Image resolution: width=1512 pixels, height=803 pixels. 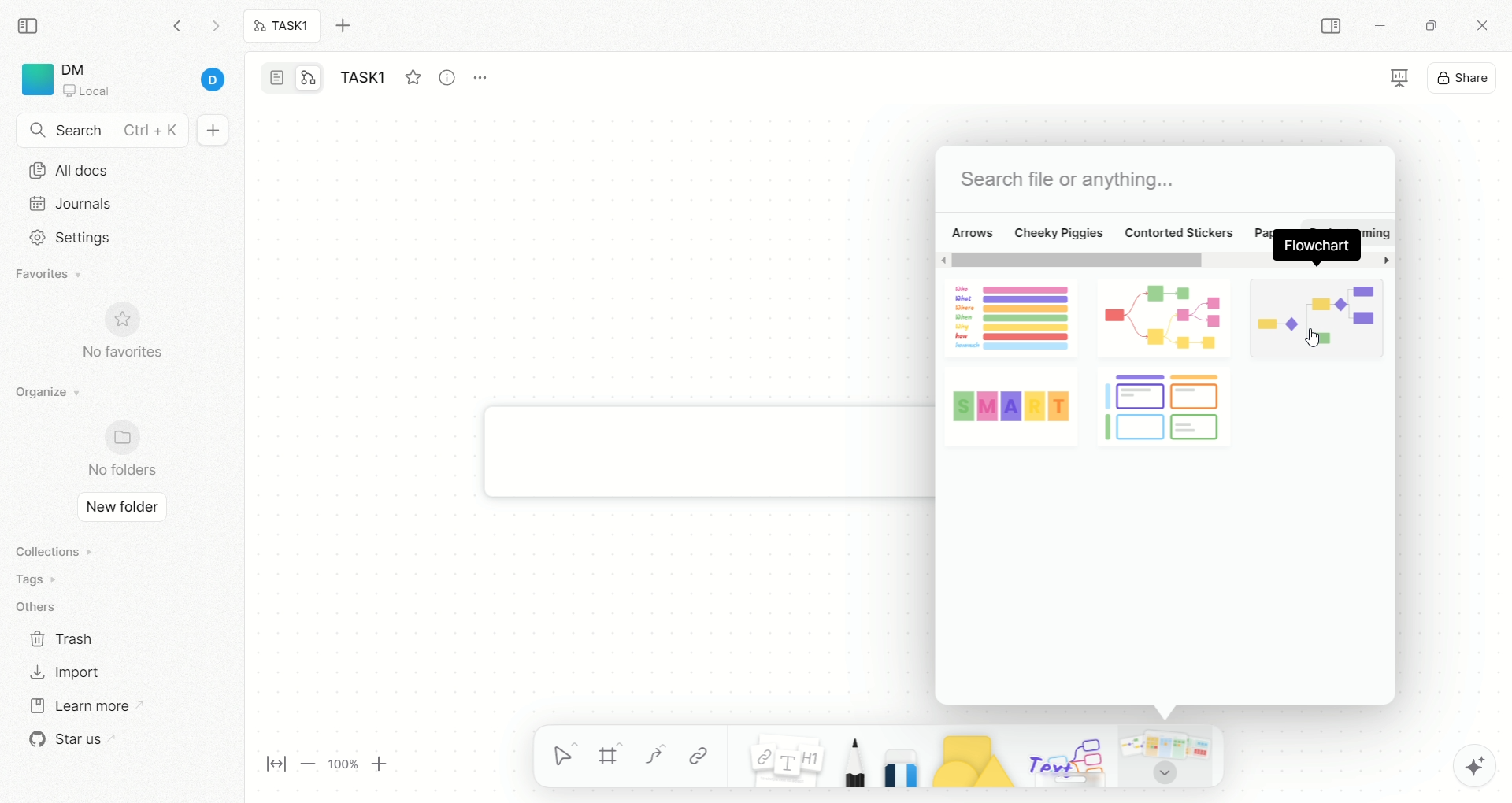 I want to click on edgeless mode, so click(x=309, y=77).